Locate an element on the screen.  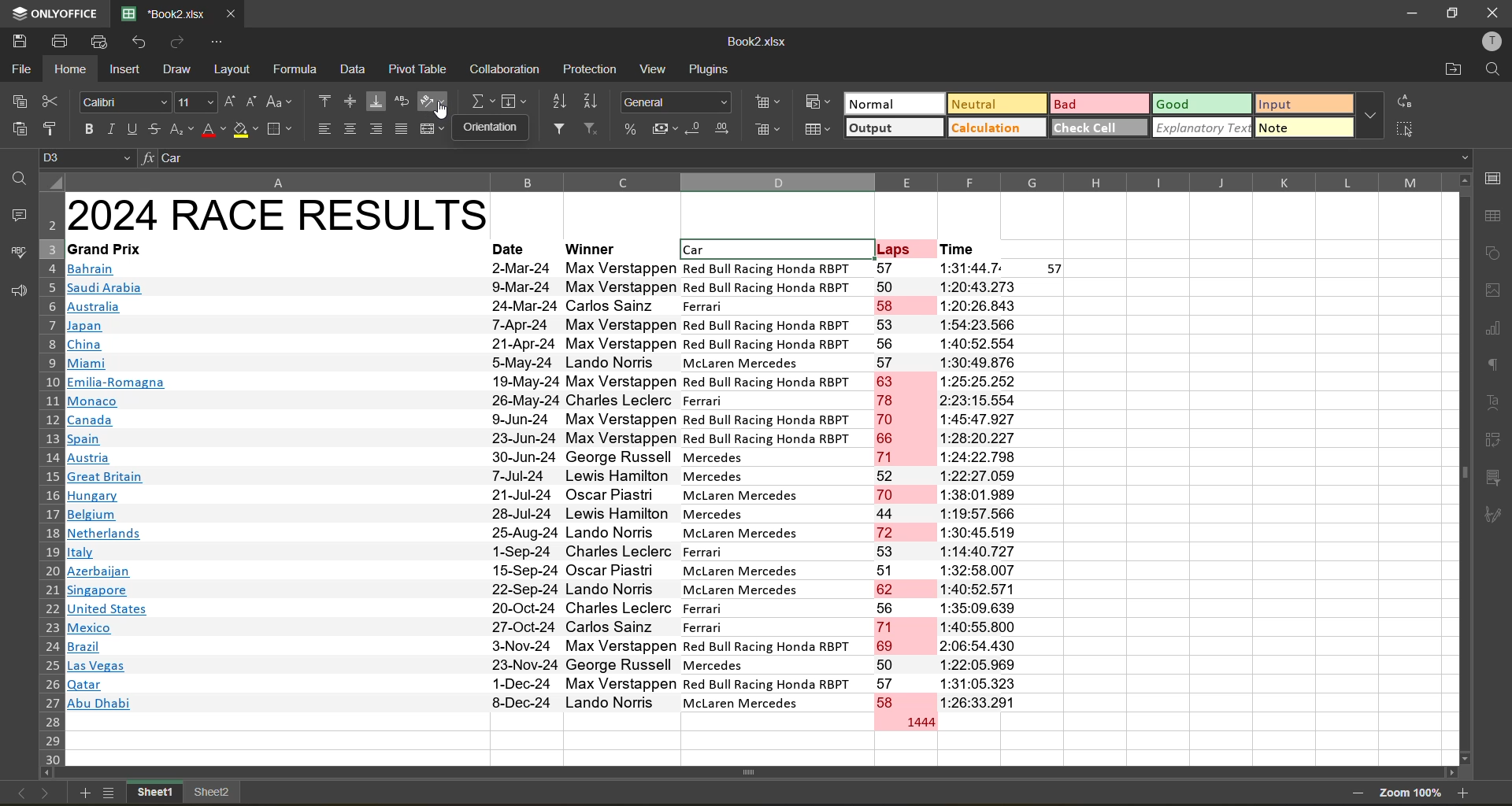
sheet names is located at coordinates (185, 790).